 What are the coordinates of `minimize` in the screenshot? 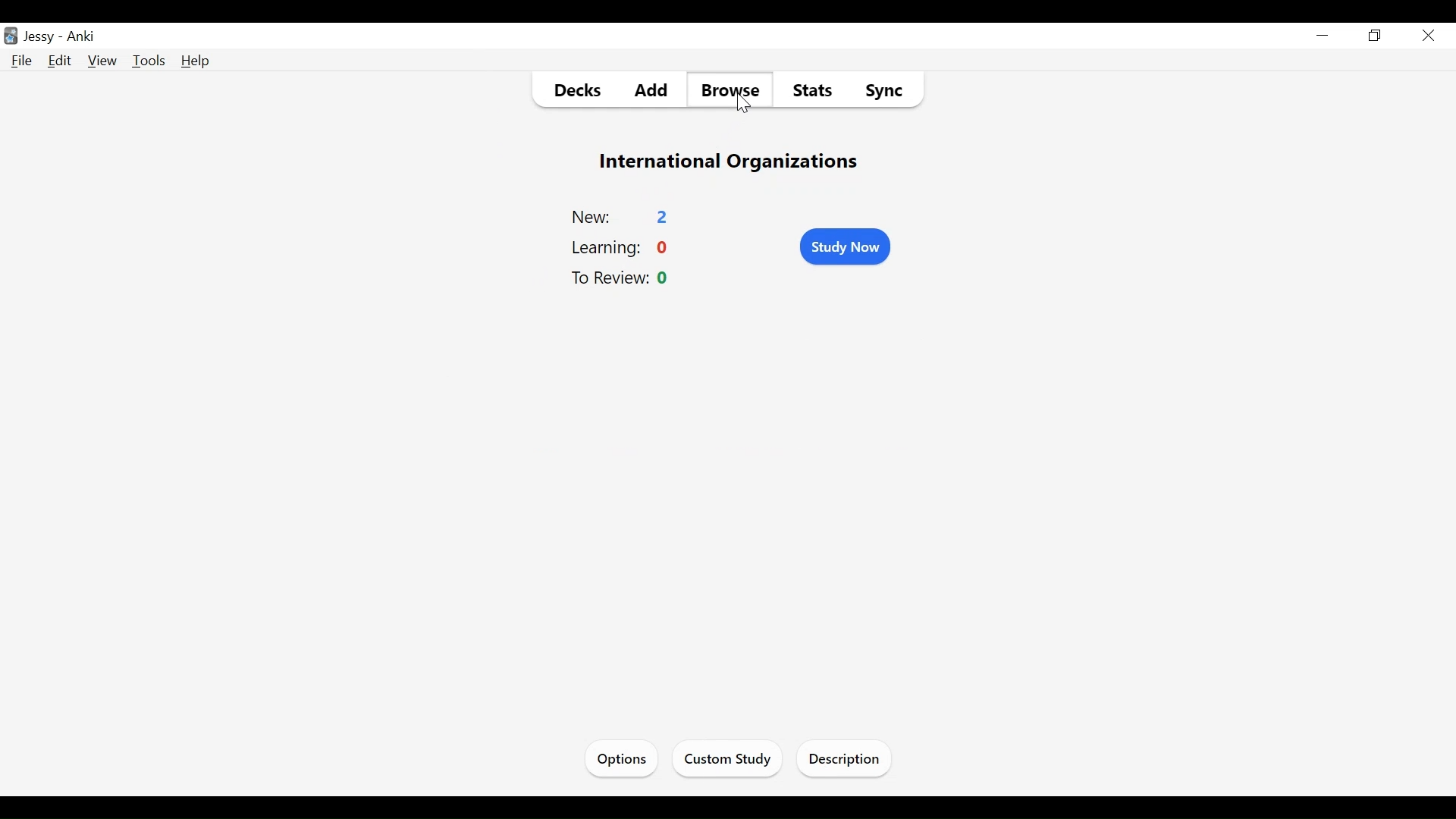 It's located at (1325, 36).